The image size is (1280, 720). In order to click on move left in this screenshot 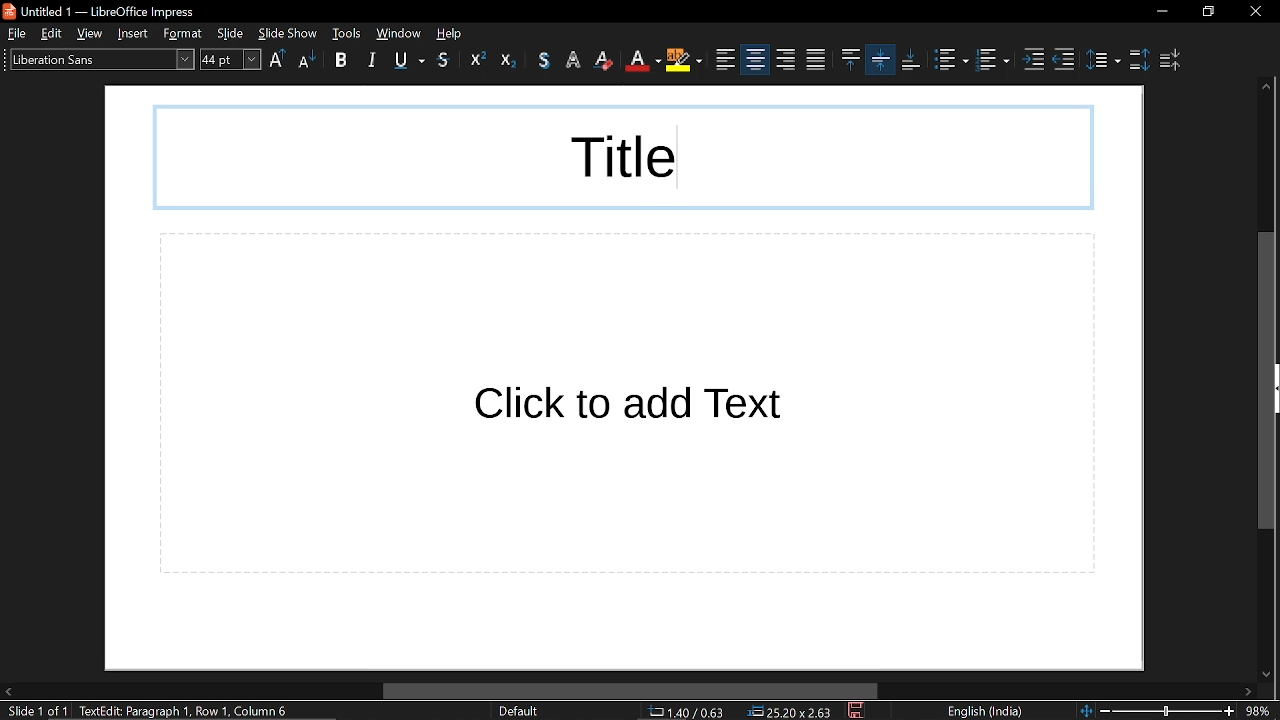, I will do `click(8, 692)`.